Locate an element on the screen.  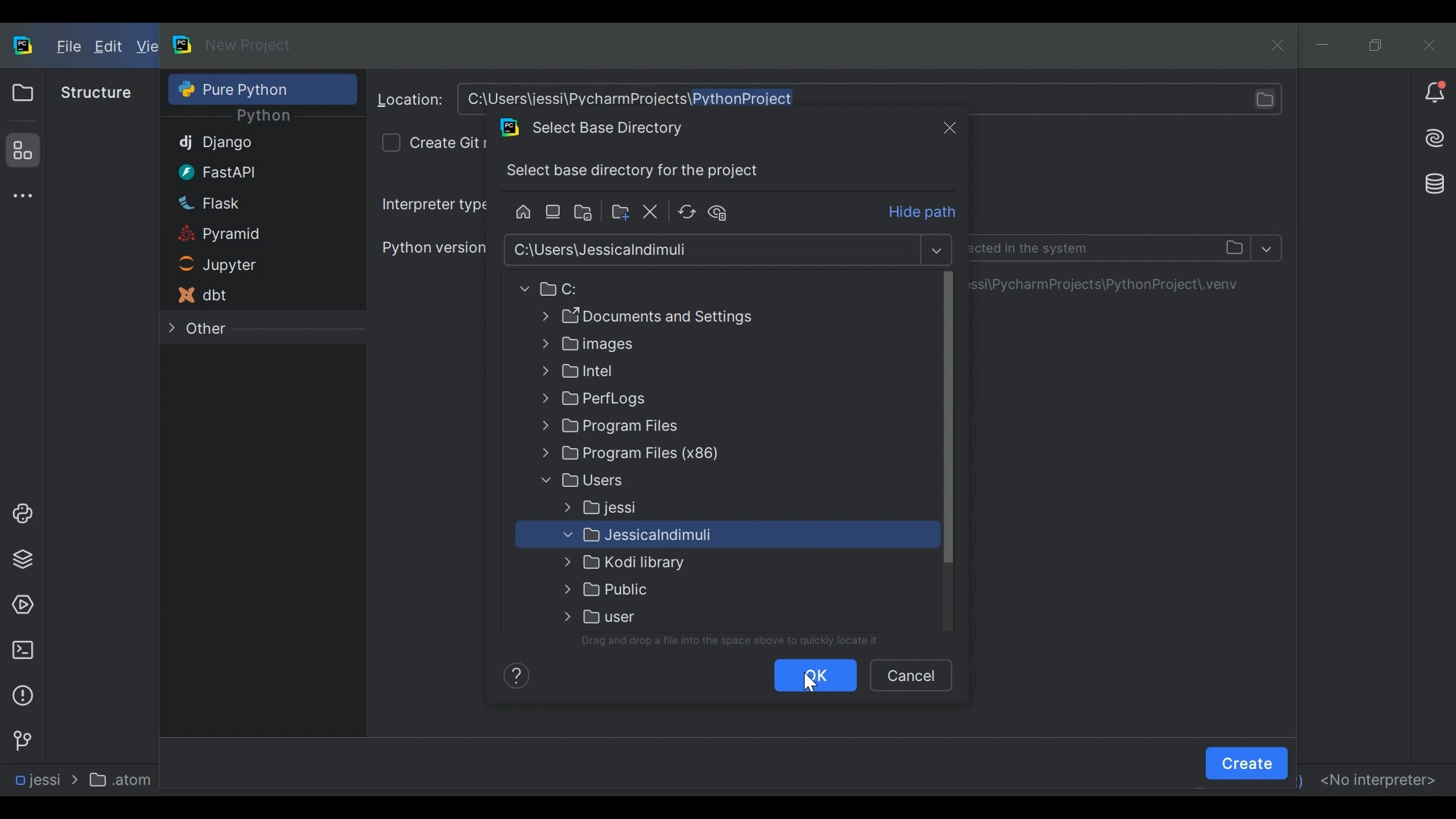
Refresh is located at coordinates (686, 212).